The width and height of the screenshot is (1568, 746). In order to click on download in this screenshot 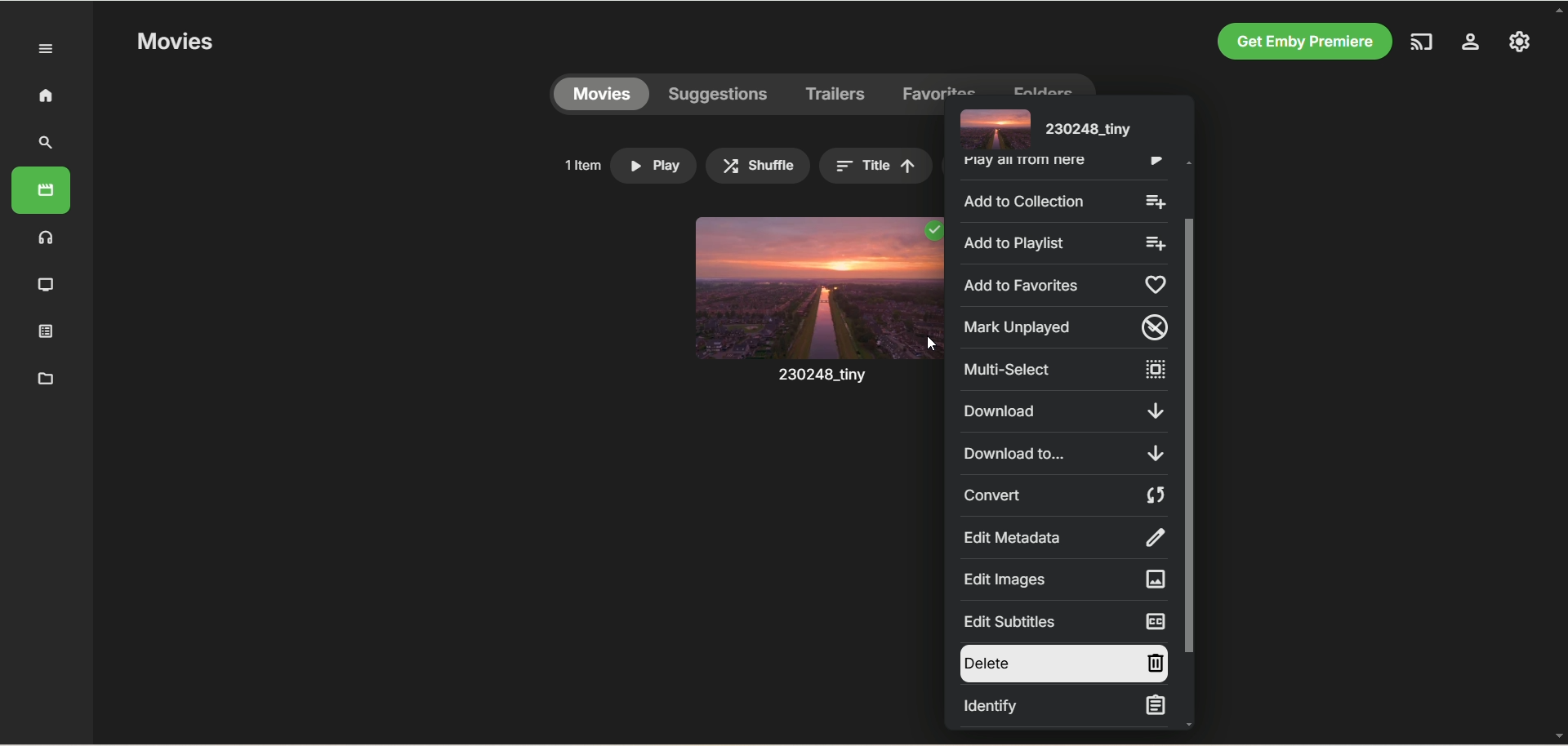, I will do `click(1062, 411)`.